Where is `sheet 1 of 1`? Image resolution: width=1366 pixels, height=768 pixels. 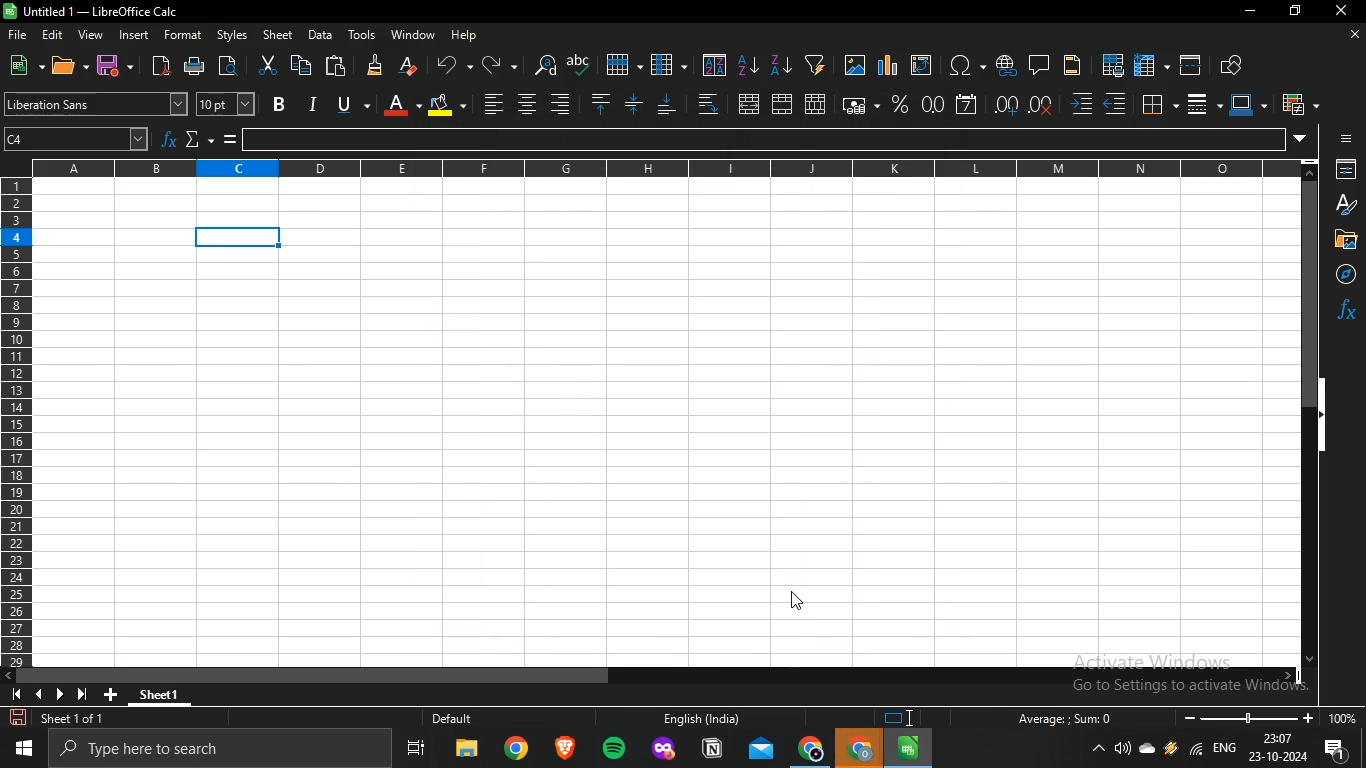
sheet 1 of 1 is located at coordinates (61, 719).